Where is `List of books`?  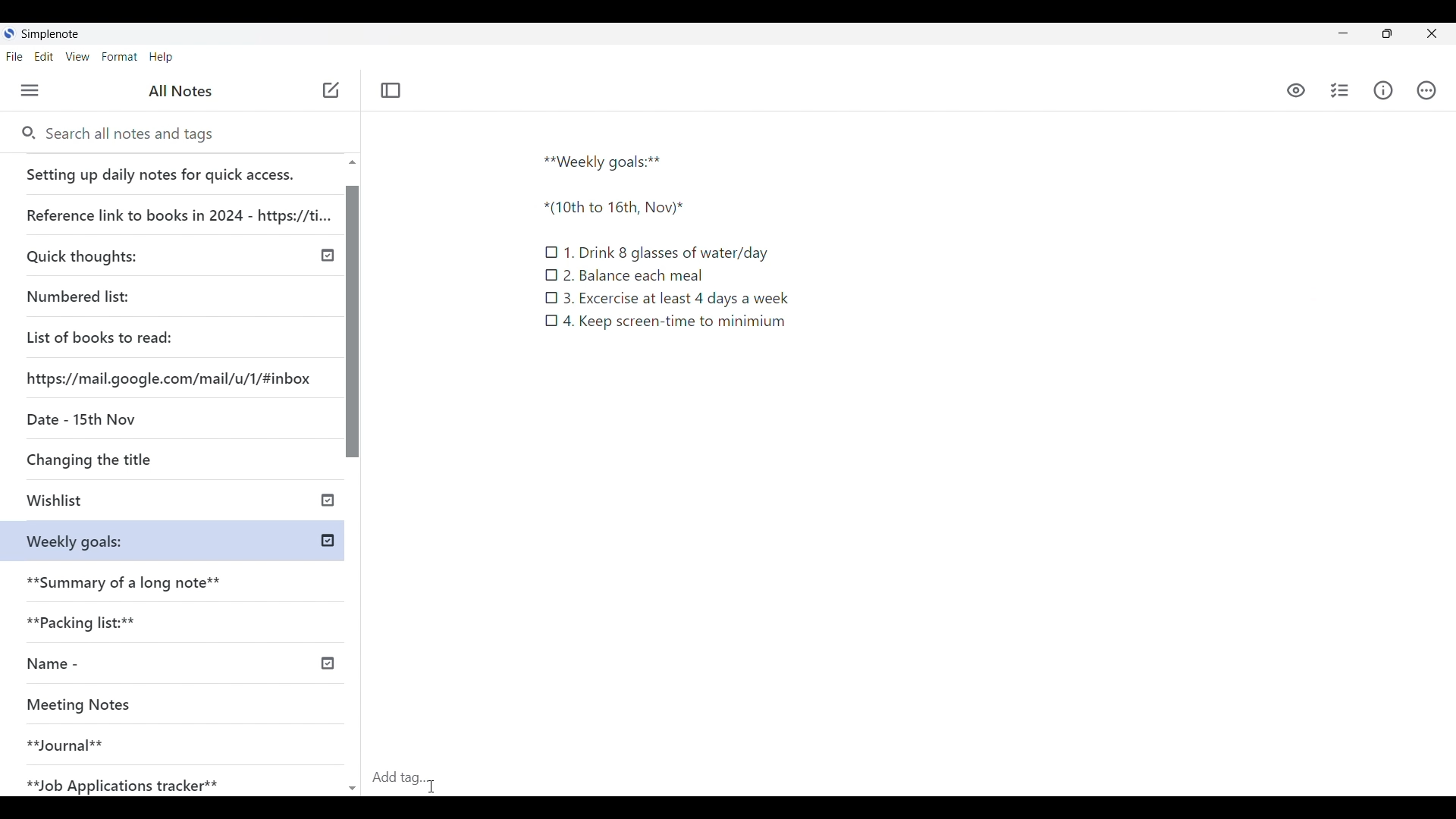
List of books is located at coordinates (101, 335).